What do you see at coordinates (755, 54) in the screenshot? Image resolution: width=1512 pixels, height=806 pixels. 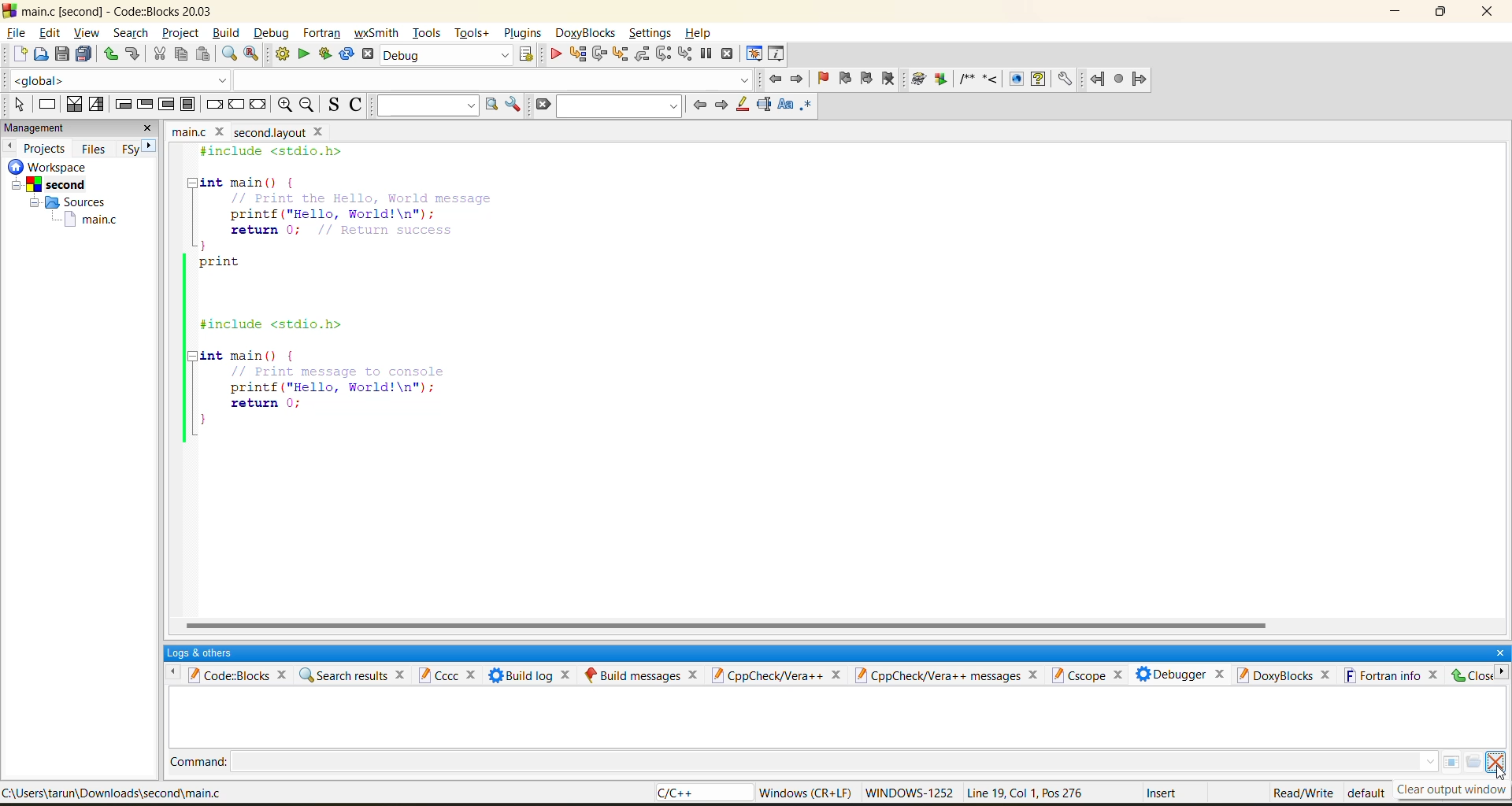 I see `debugging windows` at bounding box center [755, 54].